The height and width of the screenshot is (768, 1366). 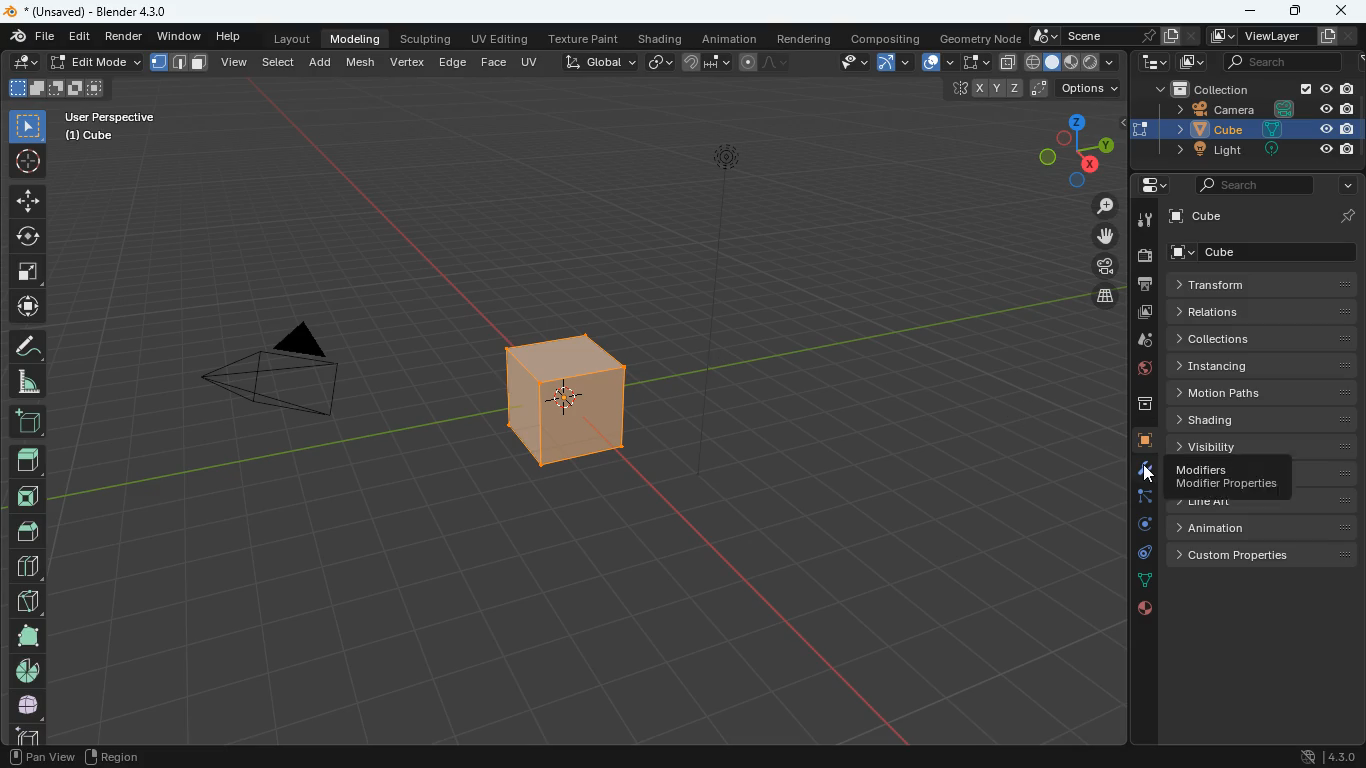 What do you see at coordinates (31, 671) in the screenshot?
I see `pie` at bounding box center [31, 671].